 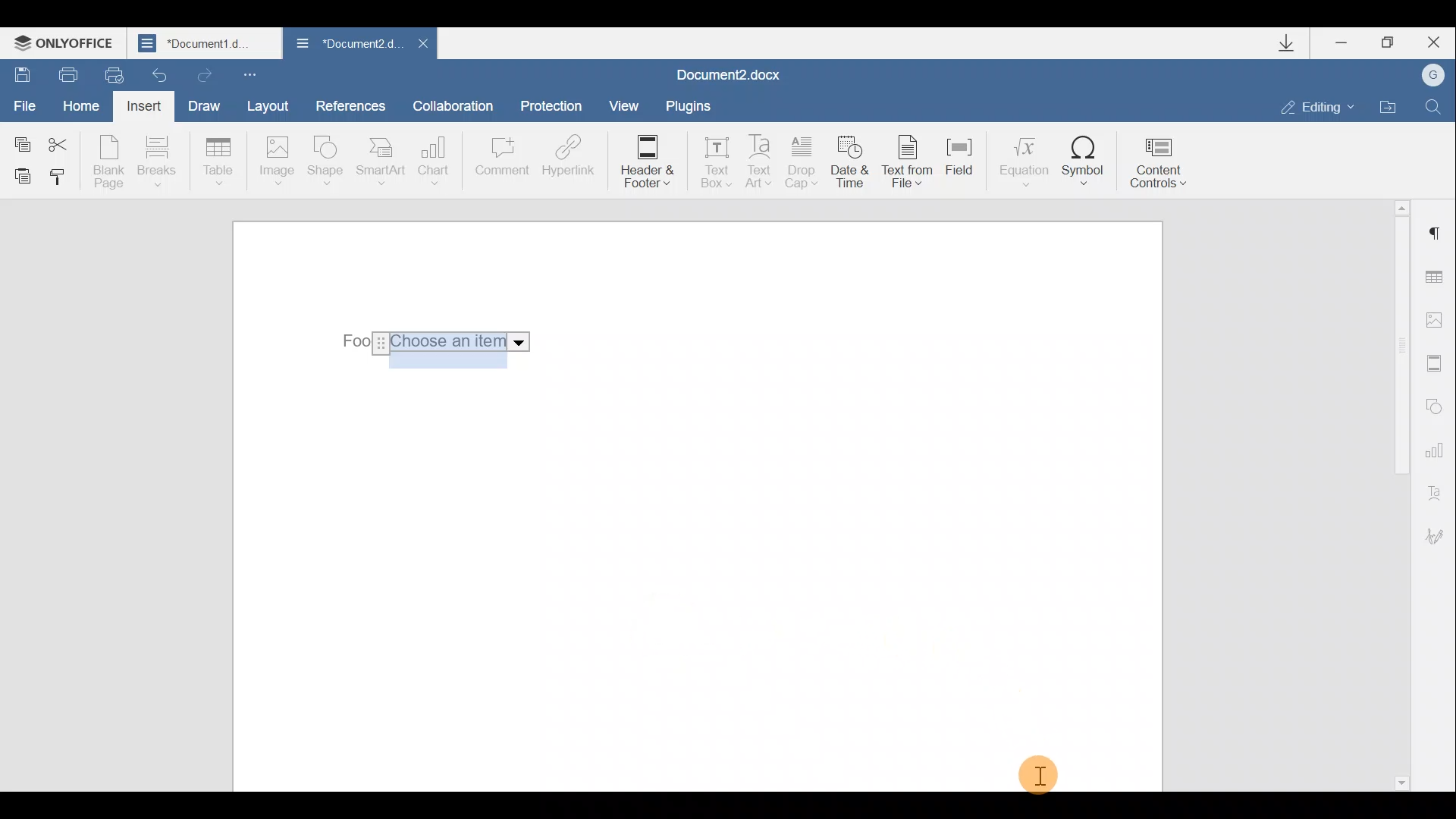 I want to click on Text from file, so click(x=912, y=163).